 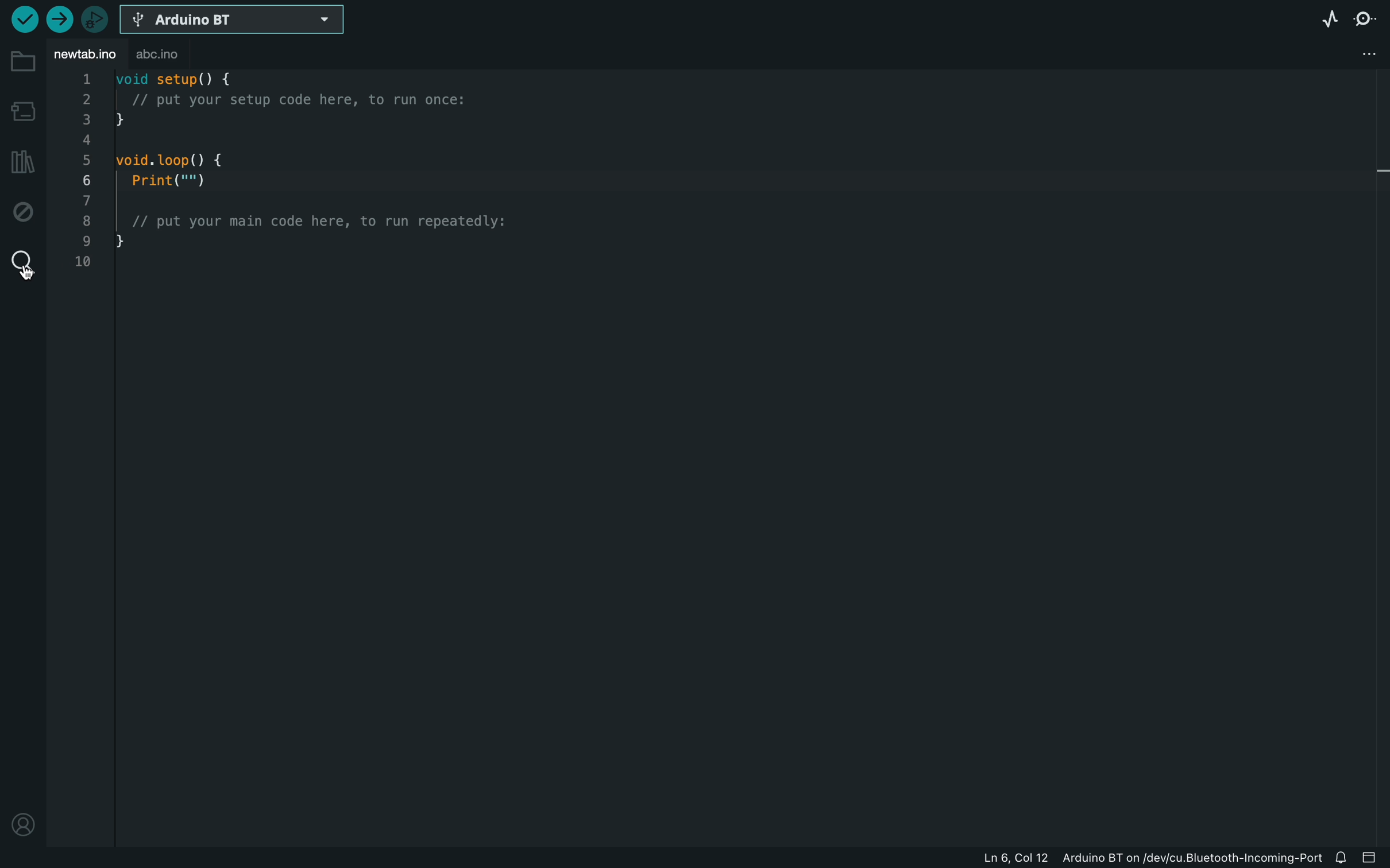 What do you see at coordinates (84, 53) in the screenshot?
I see `file tab` at bounding box center [84, 53].